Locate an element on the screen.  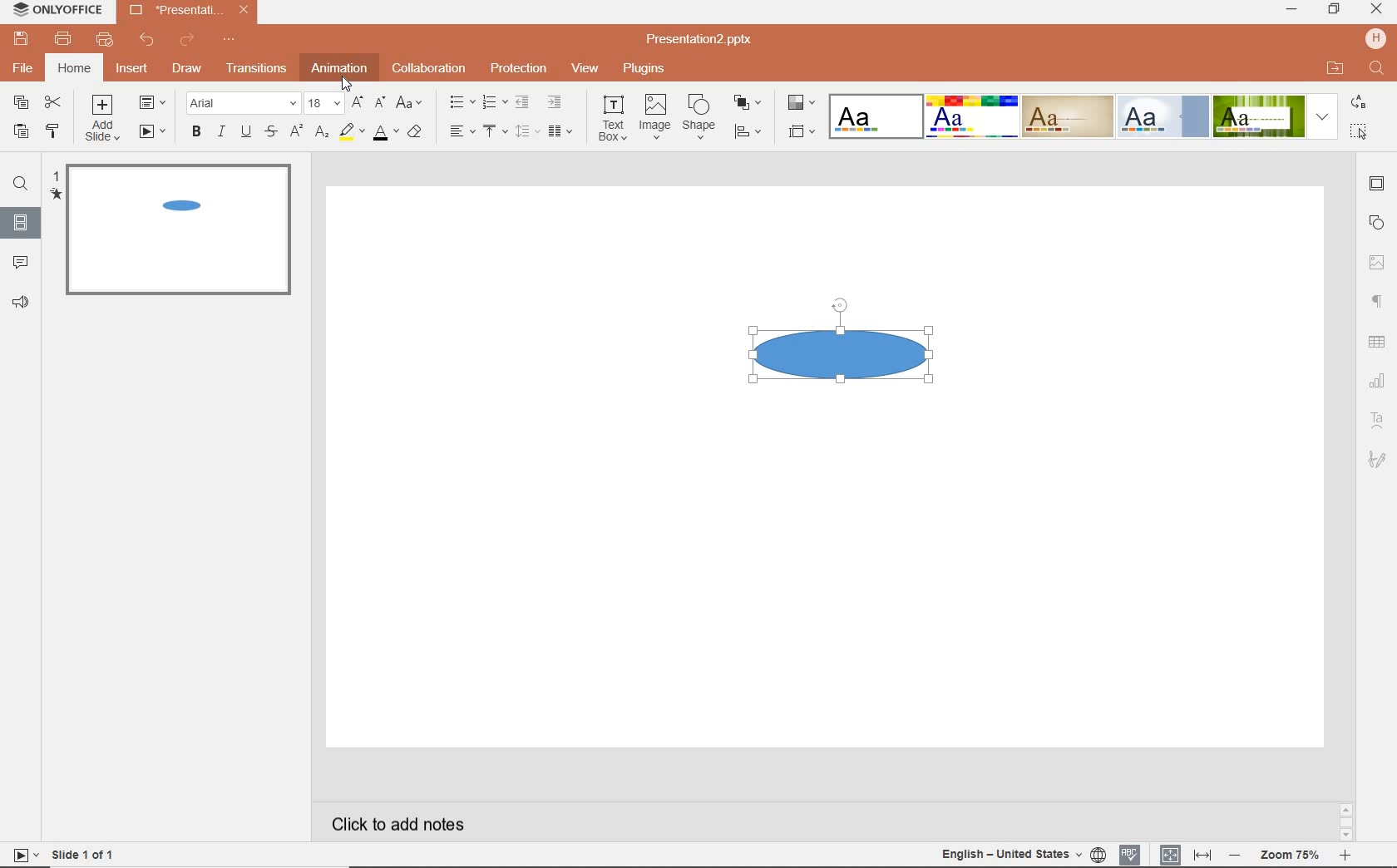
classic is located at coordinates (1067, 116).